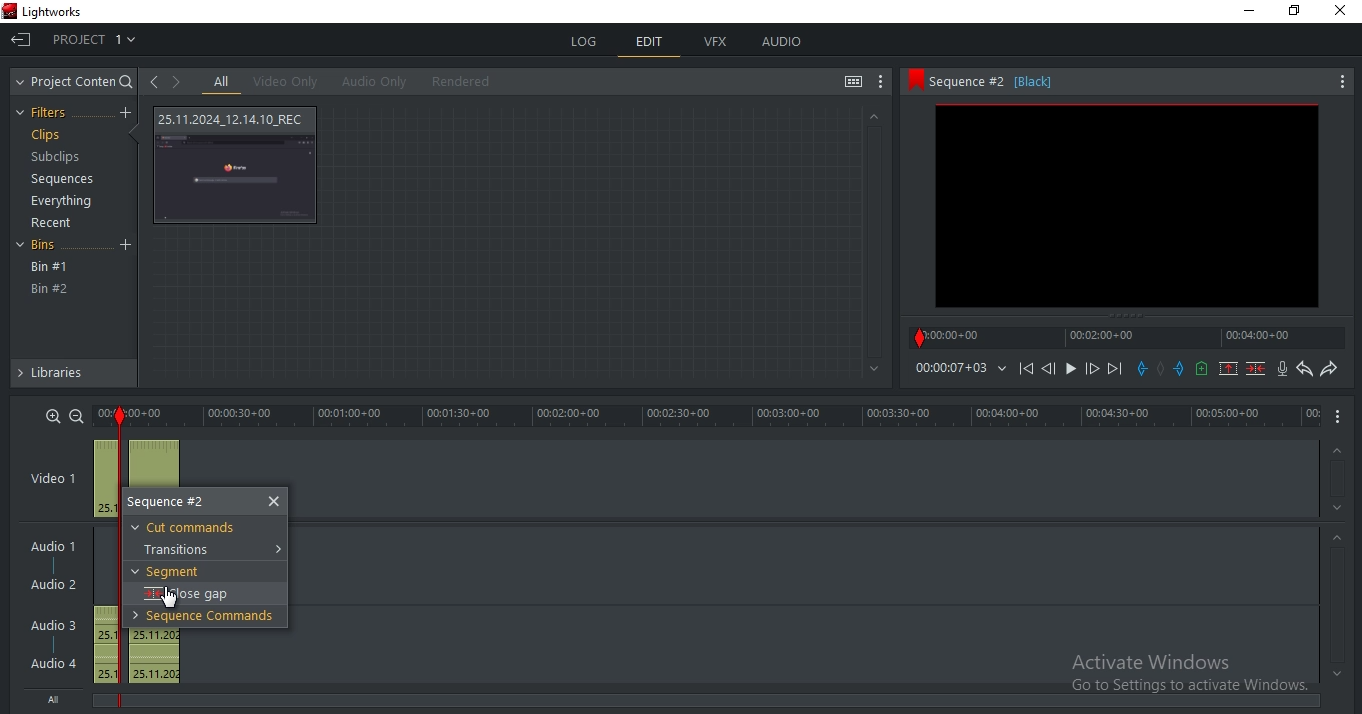  Describe the element at coordinates (1203, 369) in the screenshot. I see `add a cue` at that location.